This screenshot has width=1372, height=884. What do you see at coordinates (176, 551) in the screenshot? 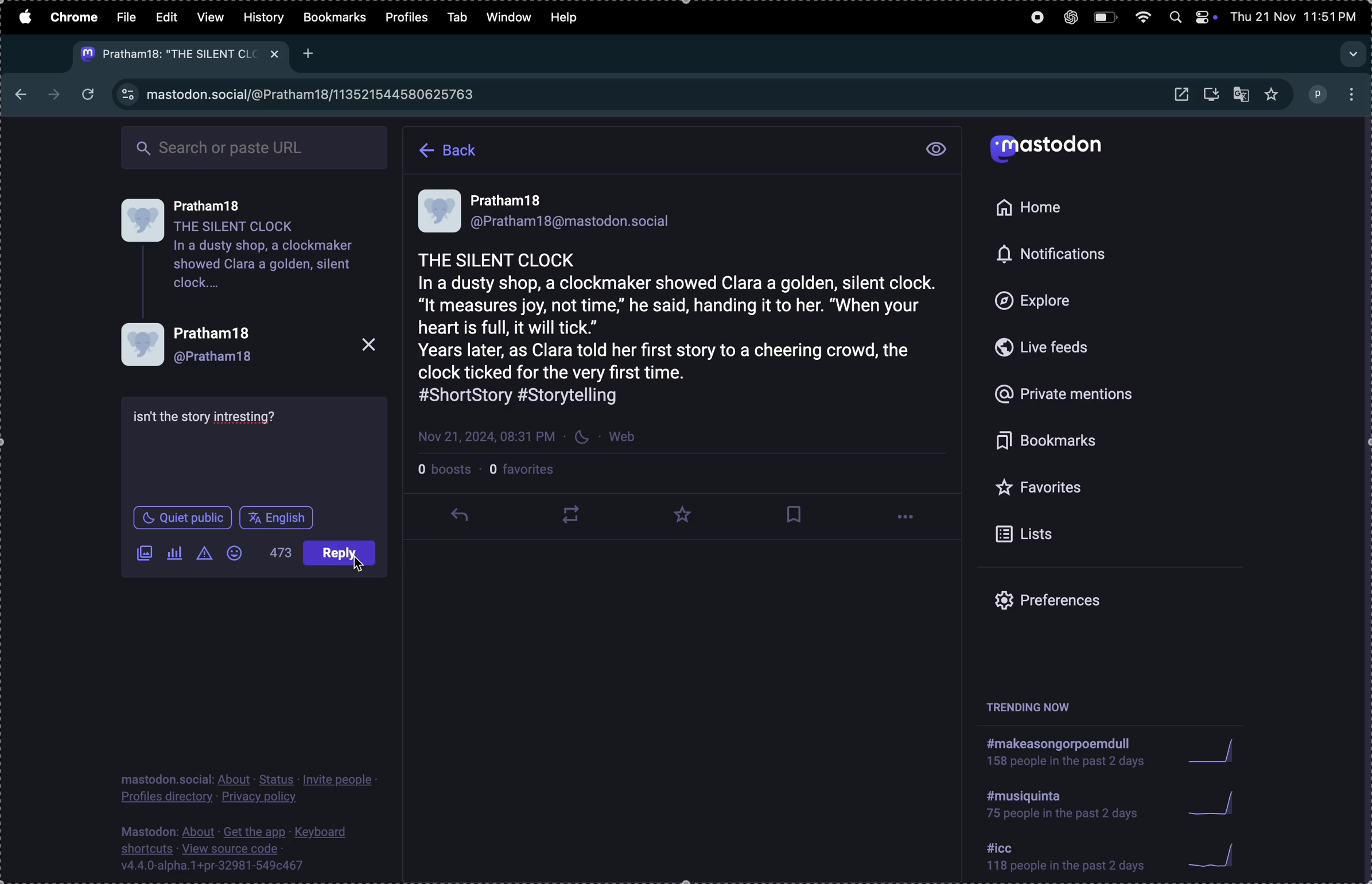
I see `pole` at bounding box center [176, 551].